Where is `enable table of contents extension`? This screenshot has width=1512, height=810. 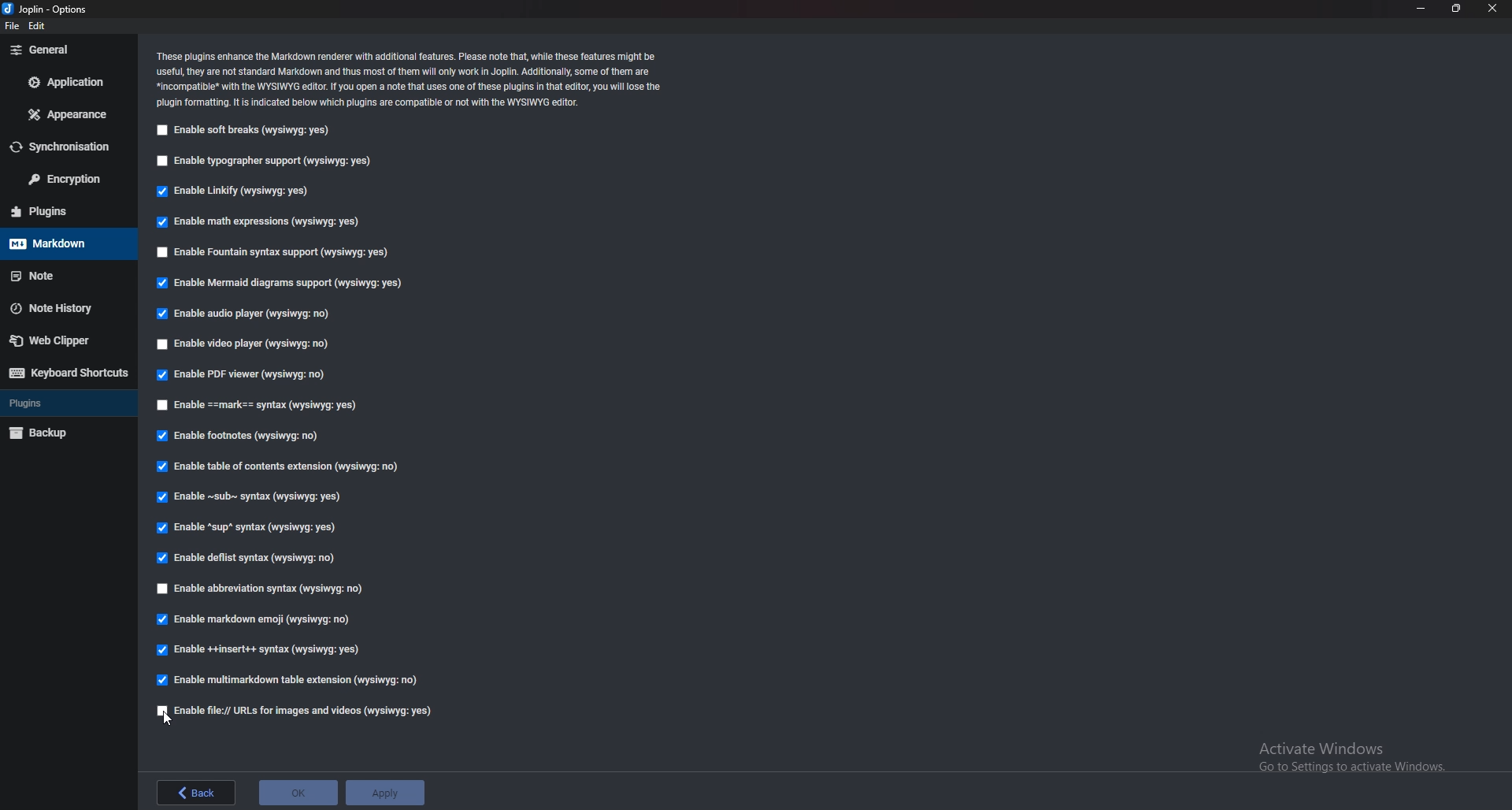
enable table of contents extension is located at coordinates (287, 468).